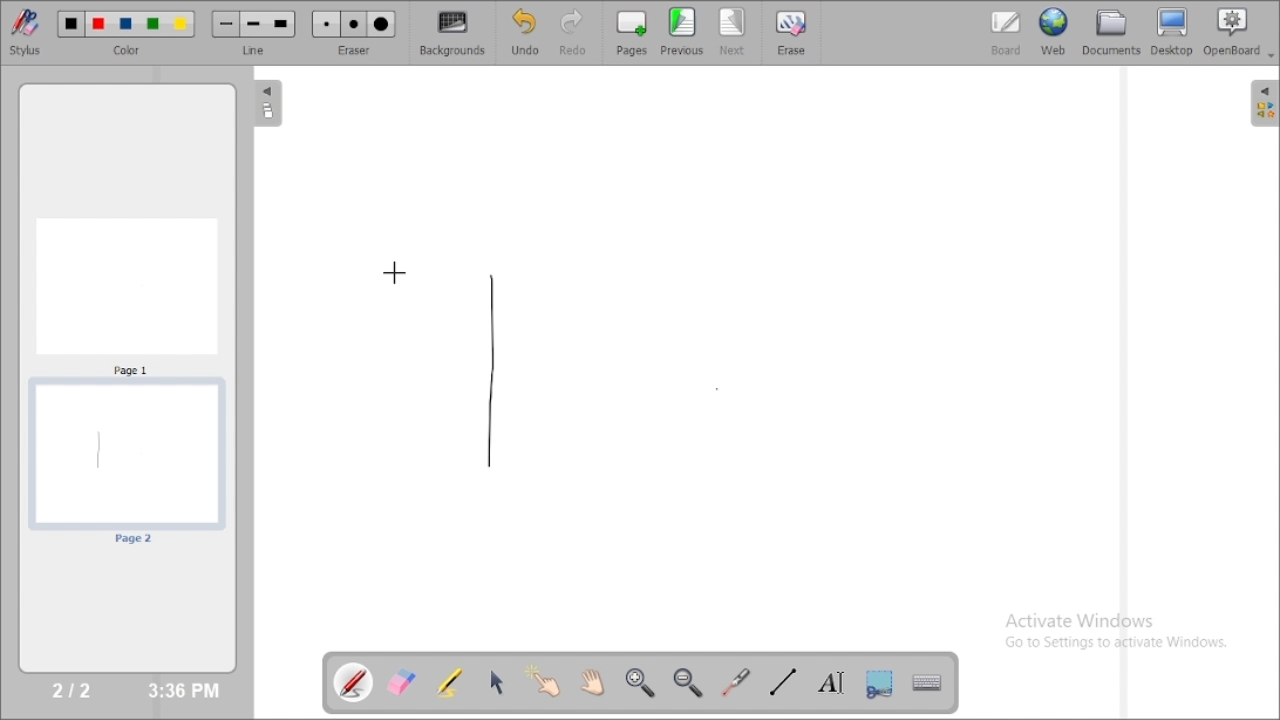  Describe the element at coordinates (266, 105) in the screenshot. I see `The flatplan (left panel)` at that location.